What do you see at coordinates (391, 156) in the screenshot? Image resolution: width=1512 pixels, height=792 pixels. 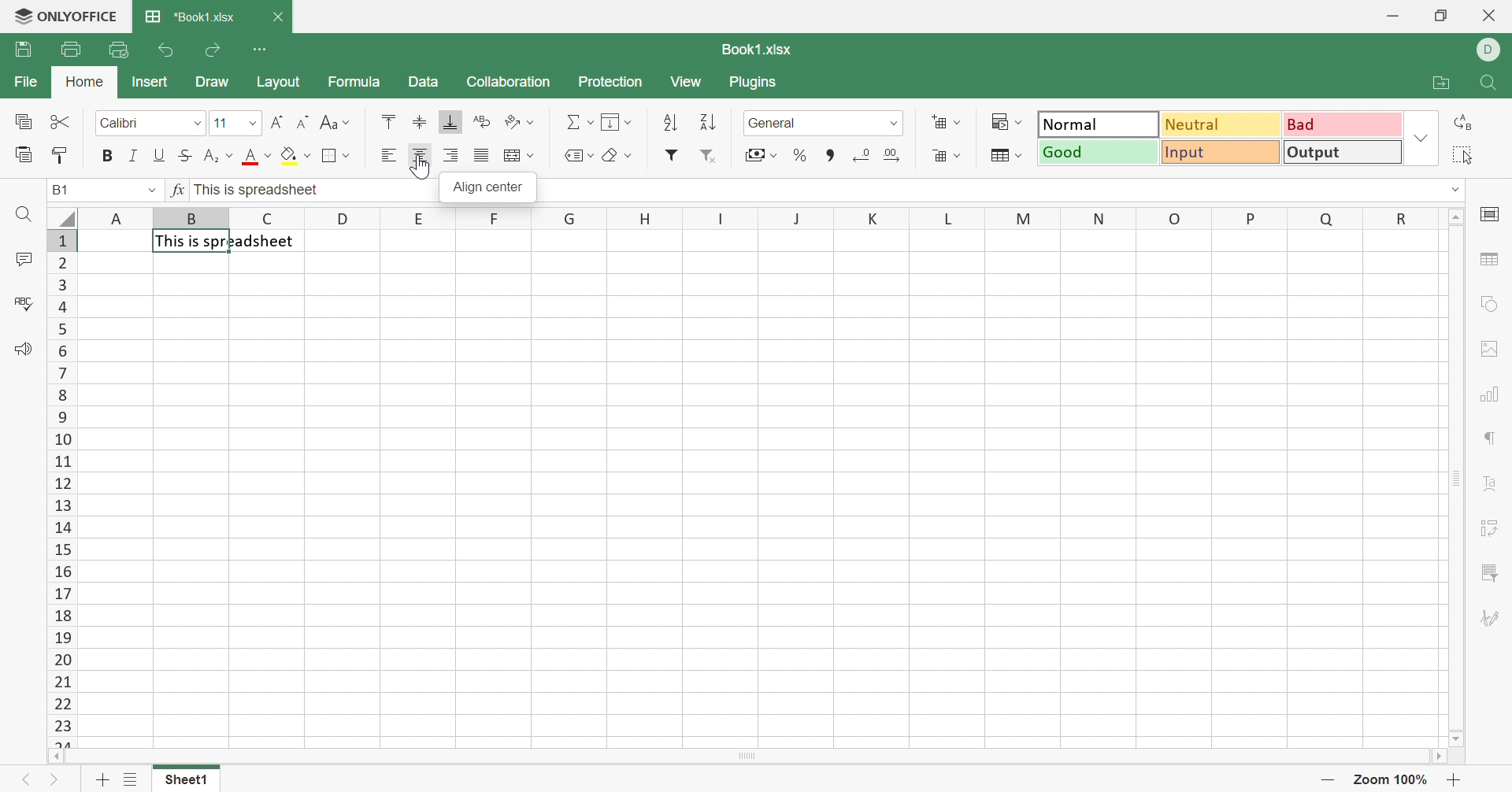 I see `Align Left` at bounding box center [391, 156].